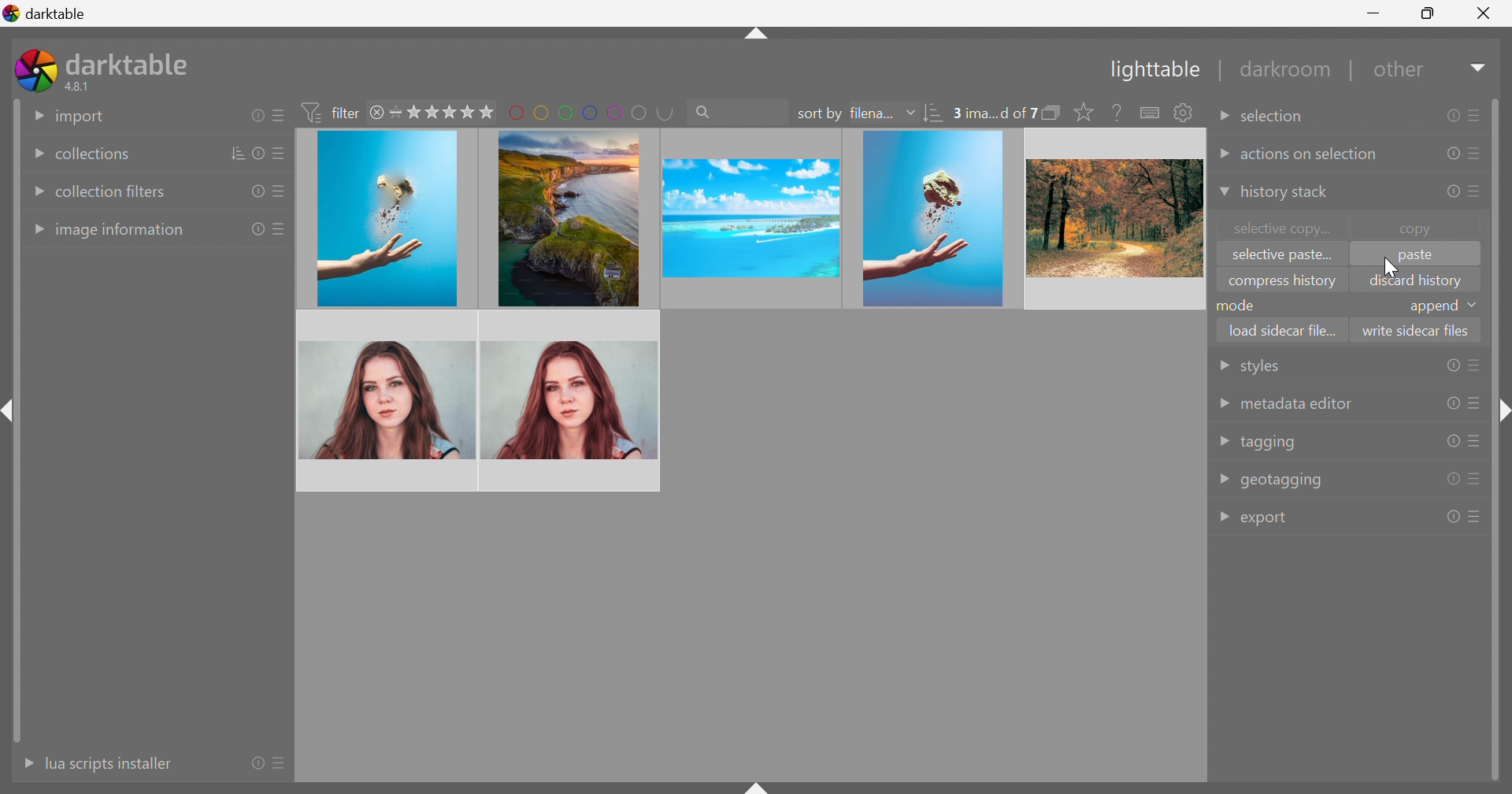  I want to click on define shortcuts, so click(1151, 113).